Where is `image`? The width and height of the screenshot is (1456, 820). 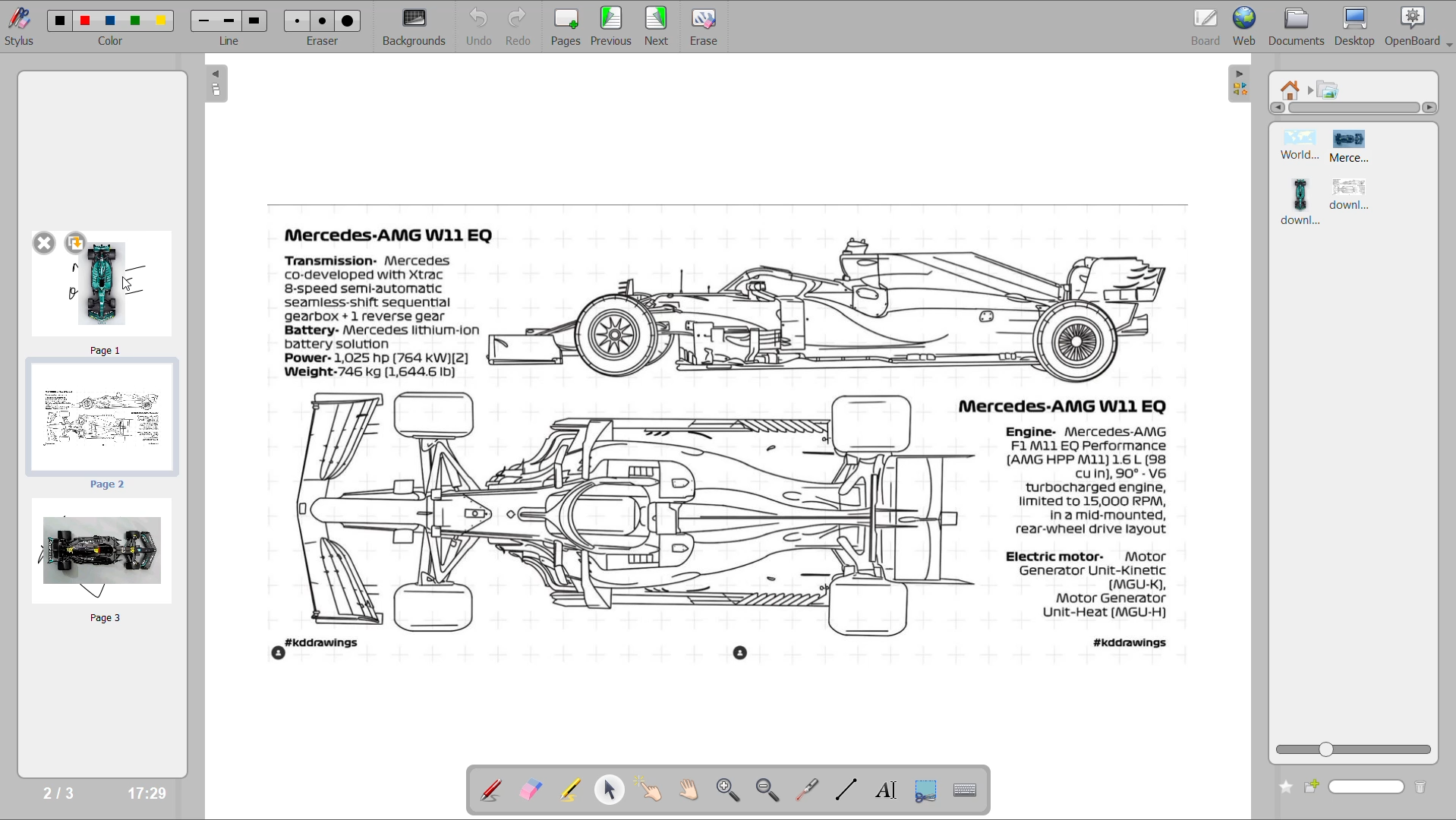 image is located at coordinates (1328, 91).